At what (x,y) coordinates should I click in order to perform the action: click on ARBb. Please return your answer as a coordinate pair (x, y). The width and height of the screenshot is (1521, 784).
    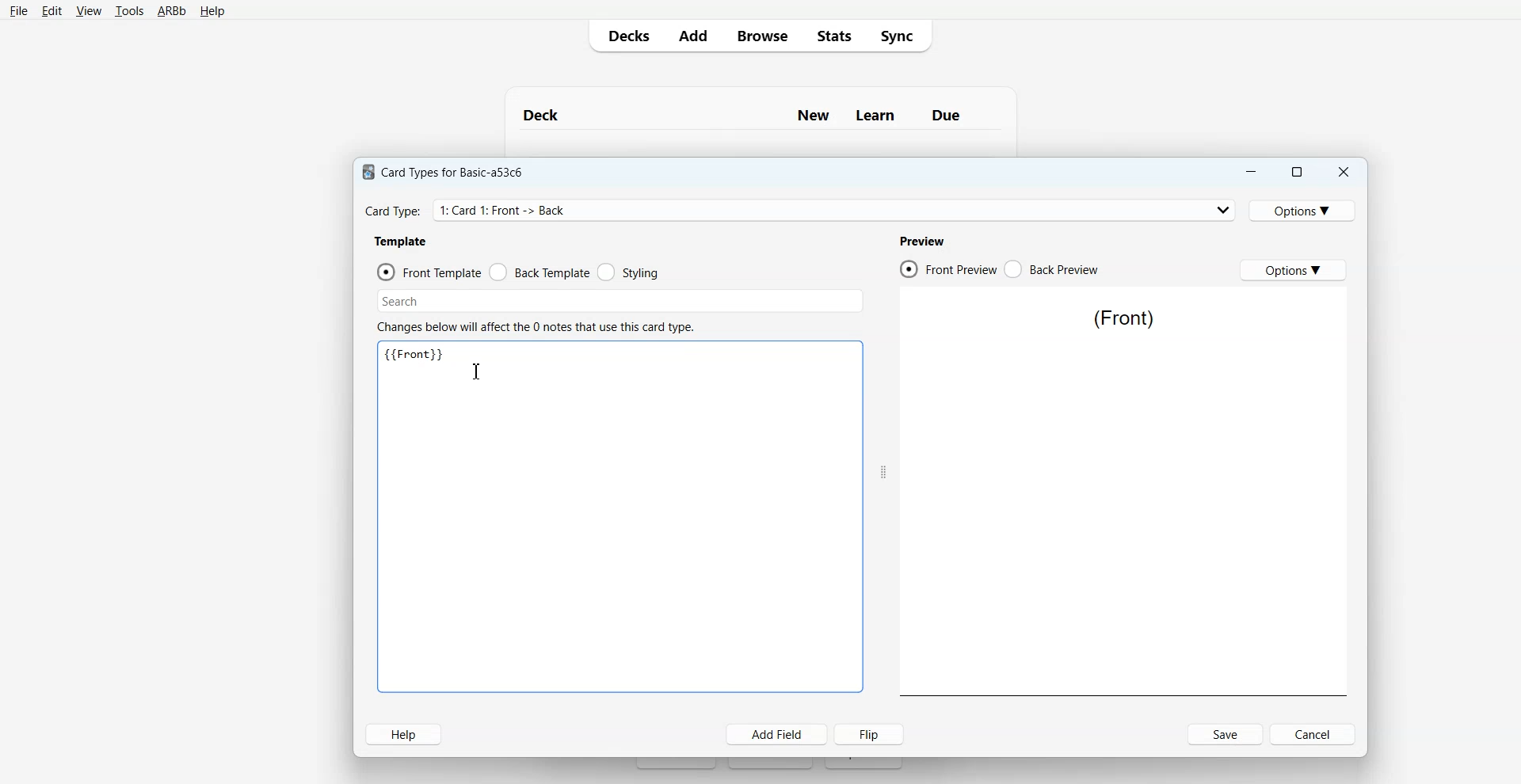
    Looking at the image, I should click on (170, 12).